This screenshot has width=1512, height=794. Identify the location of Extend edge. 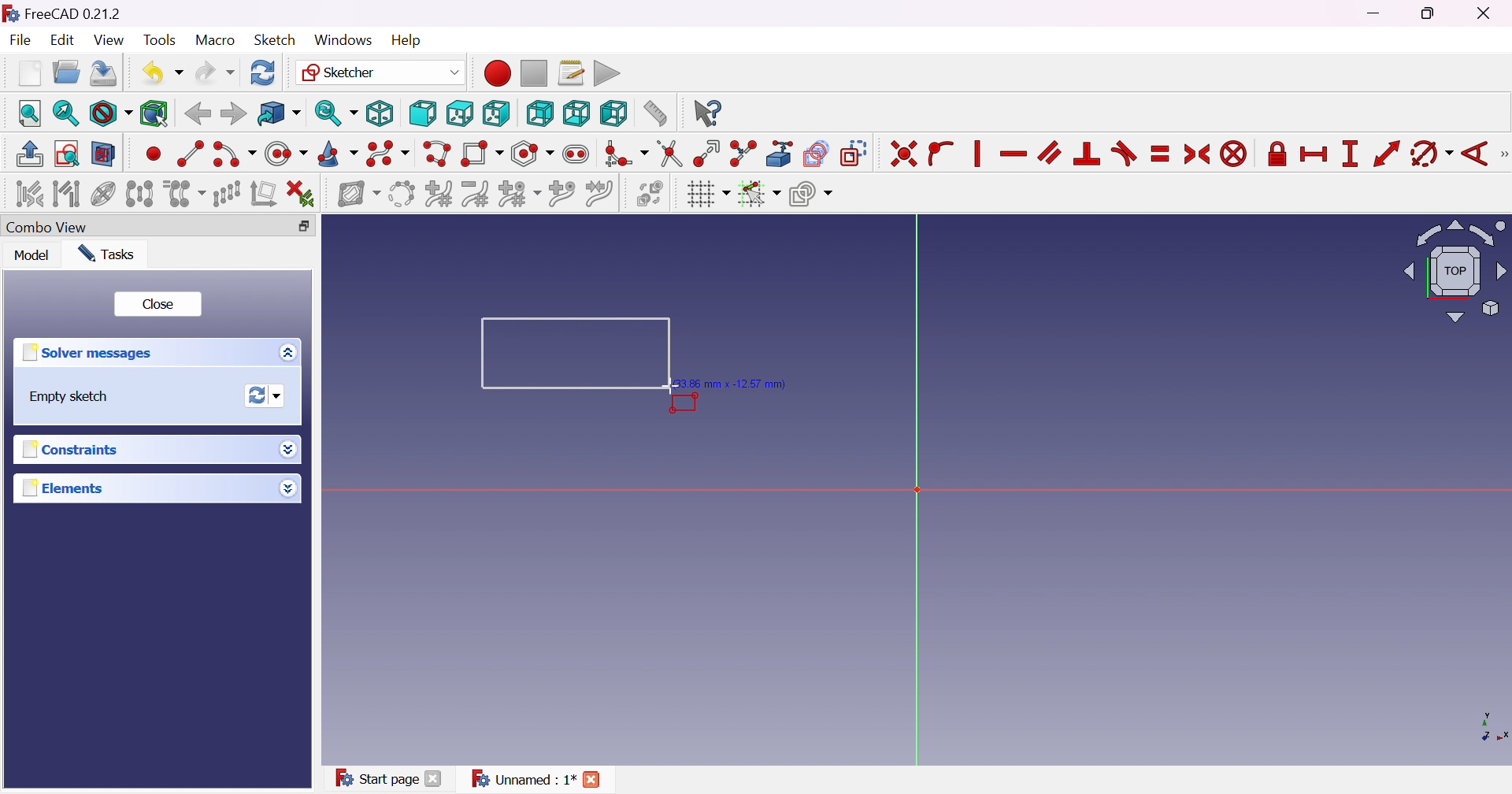
(708, 155).